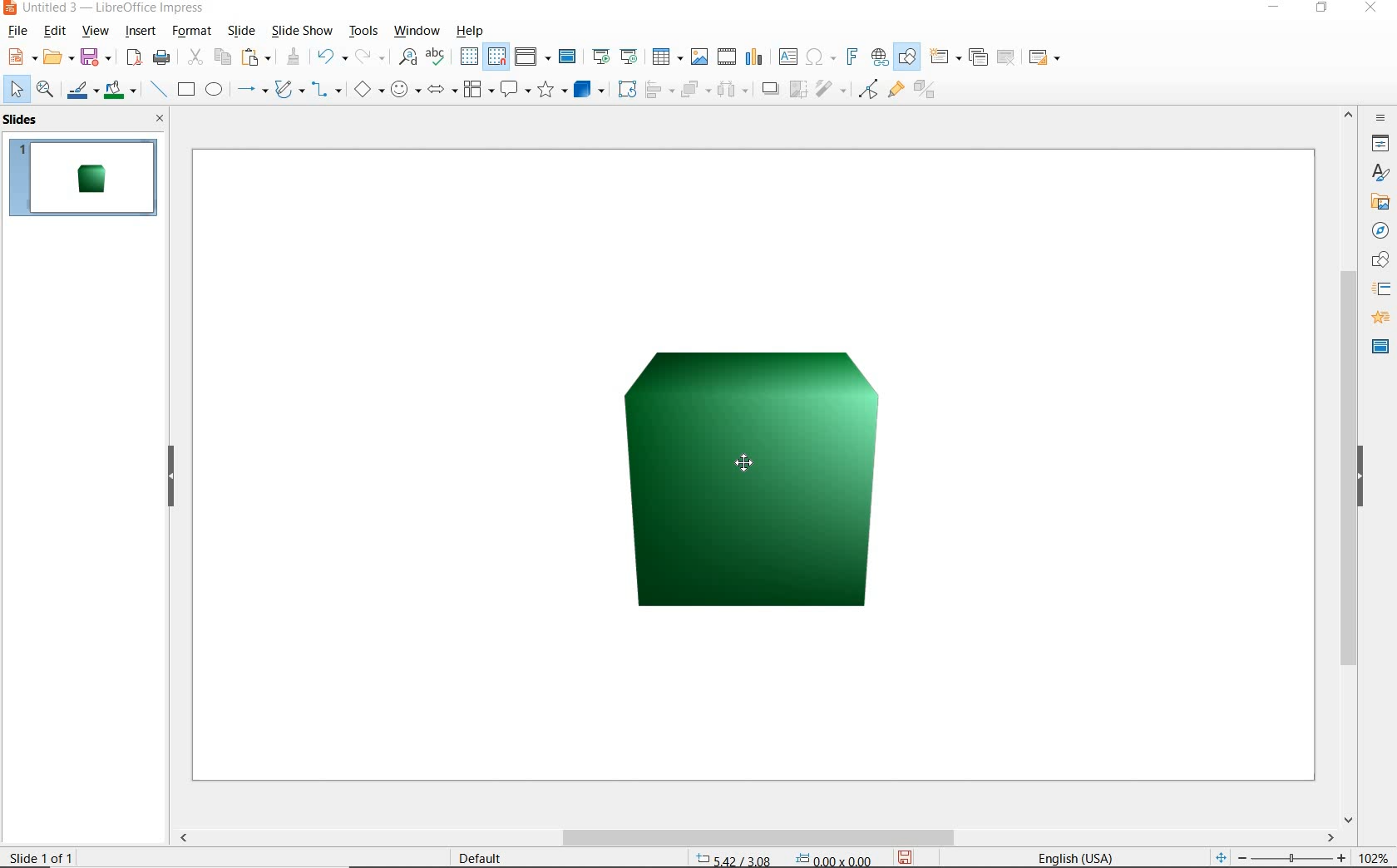 The width and height of the screenshot is (1397, 868). Describe the element at coordinates (1350, 466) in the screenshot. I see `SCROLLBAR` at that location.